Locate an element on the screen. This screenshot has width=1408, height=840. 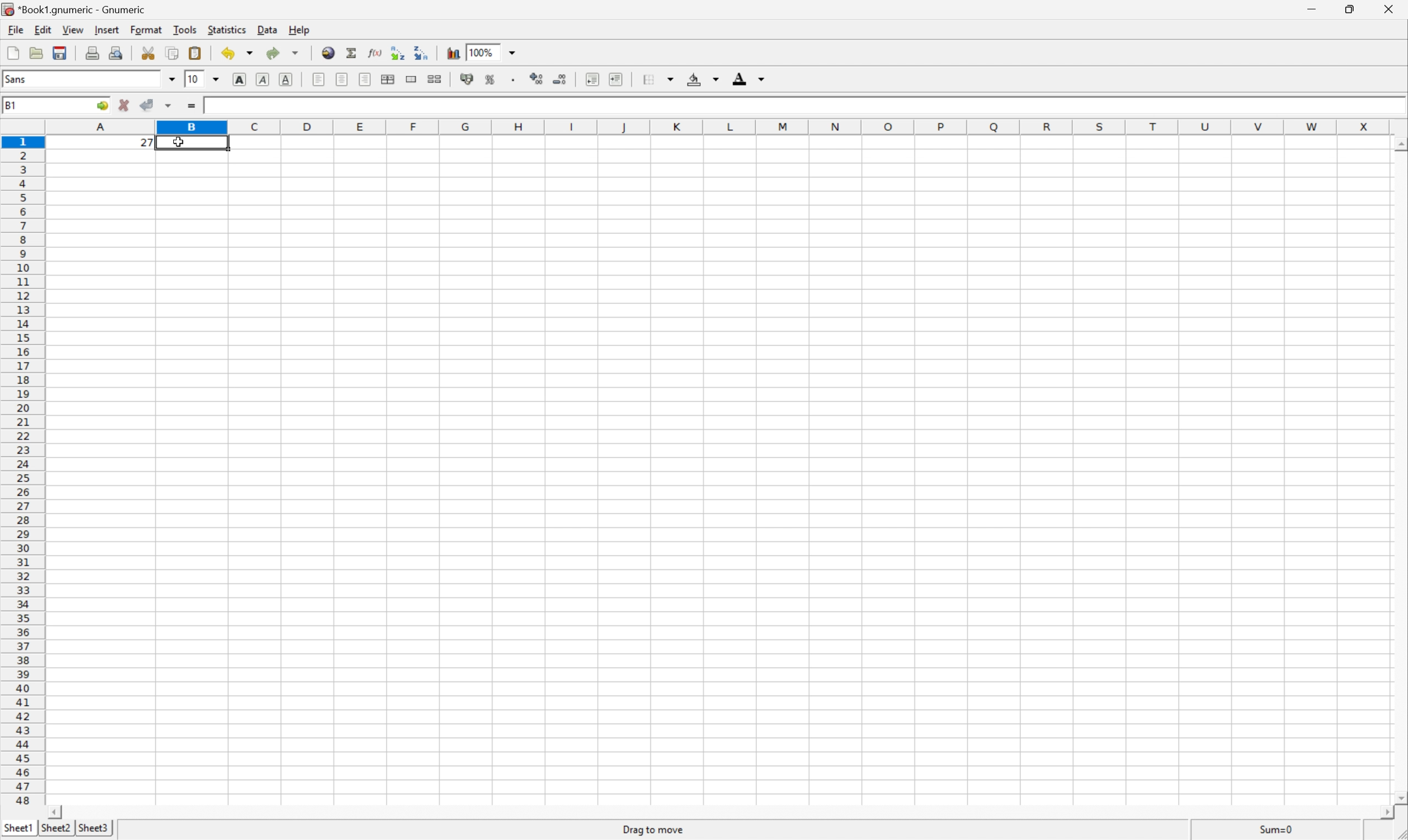
Edit function in current cell is located at coordinates (376, 52).